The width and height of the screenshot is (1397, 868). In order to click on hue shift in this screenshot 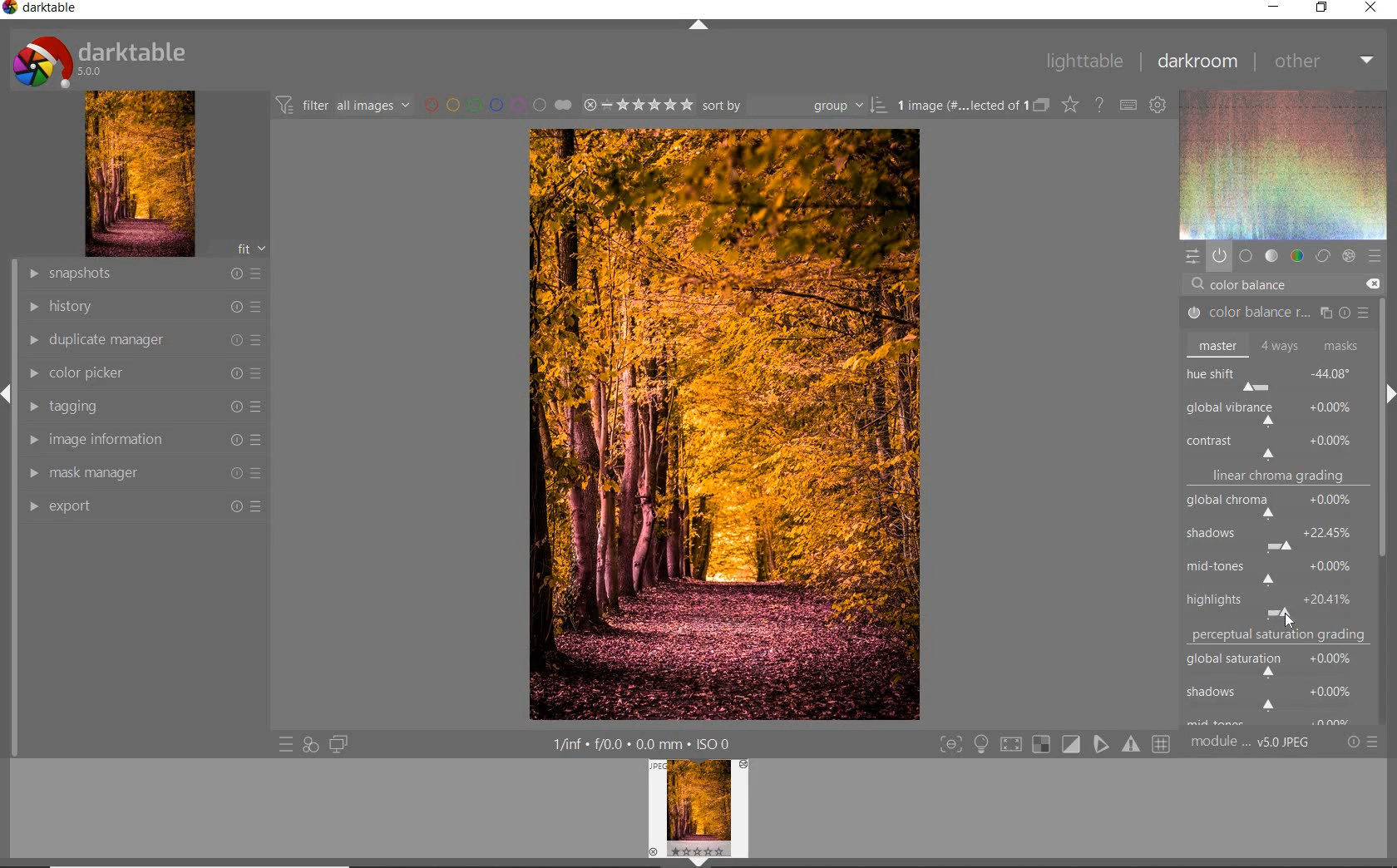, I will do `click(1277, 377)`.